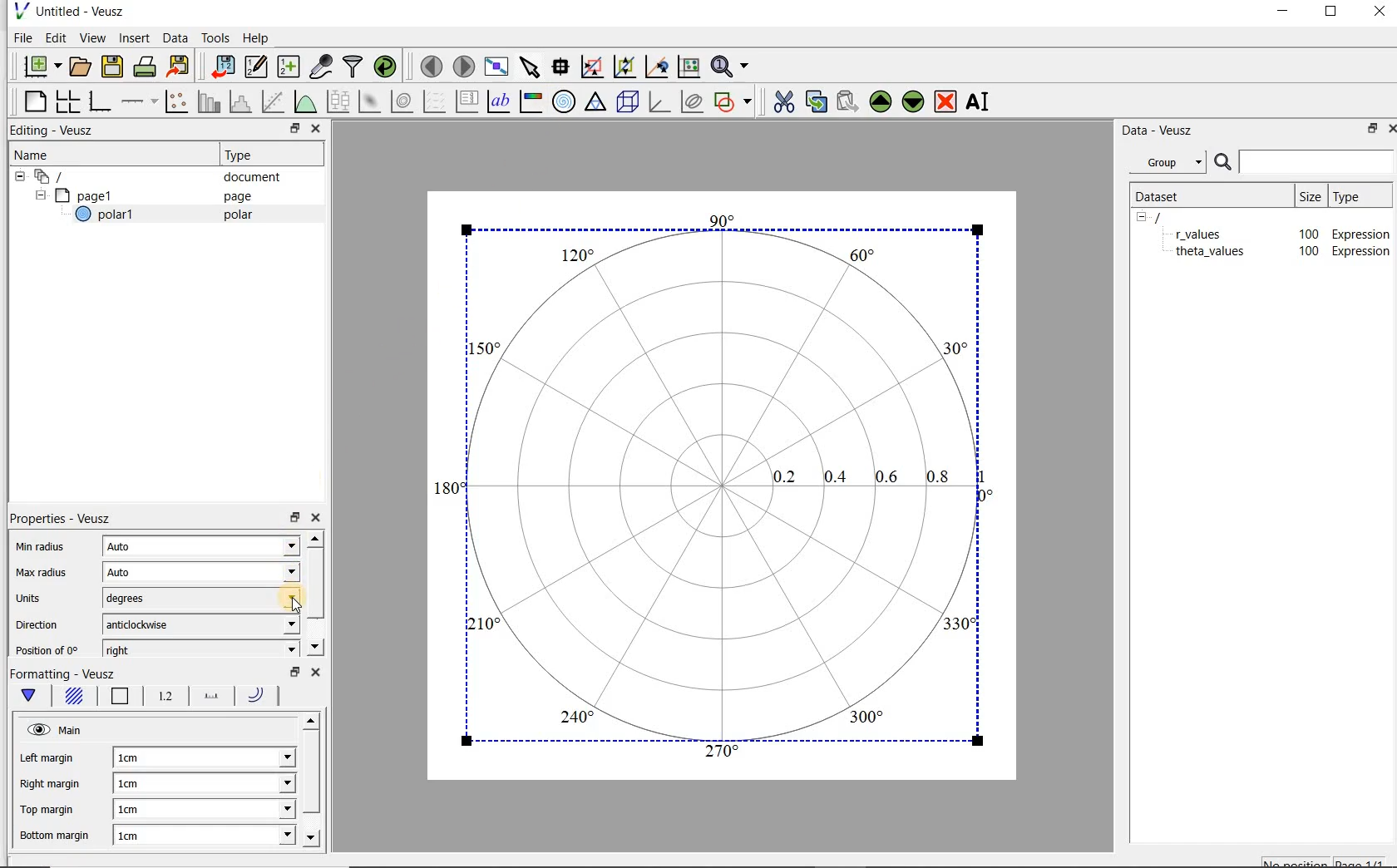 The width and height of the screenshot is (1397, 868). What do you see at coordinates (57, 836) in the screenshot?
I see `Bottom margin` at bounding box center [57, 836].